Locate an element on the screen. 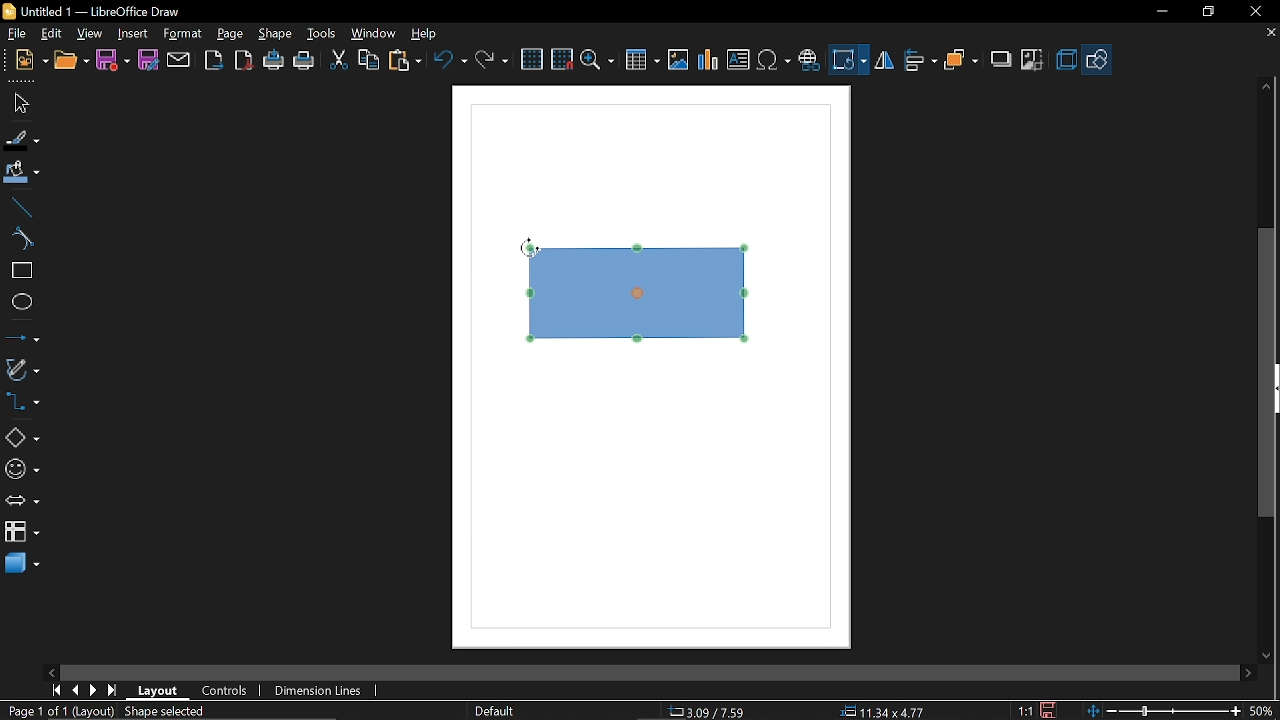  paste is located at coordinates (406, 60).